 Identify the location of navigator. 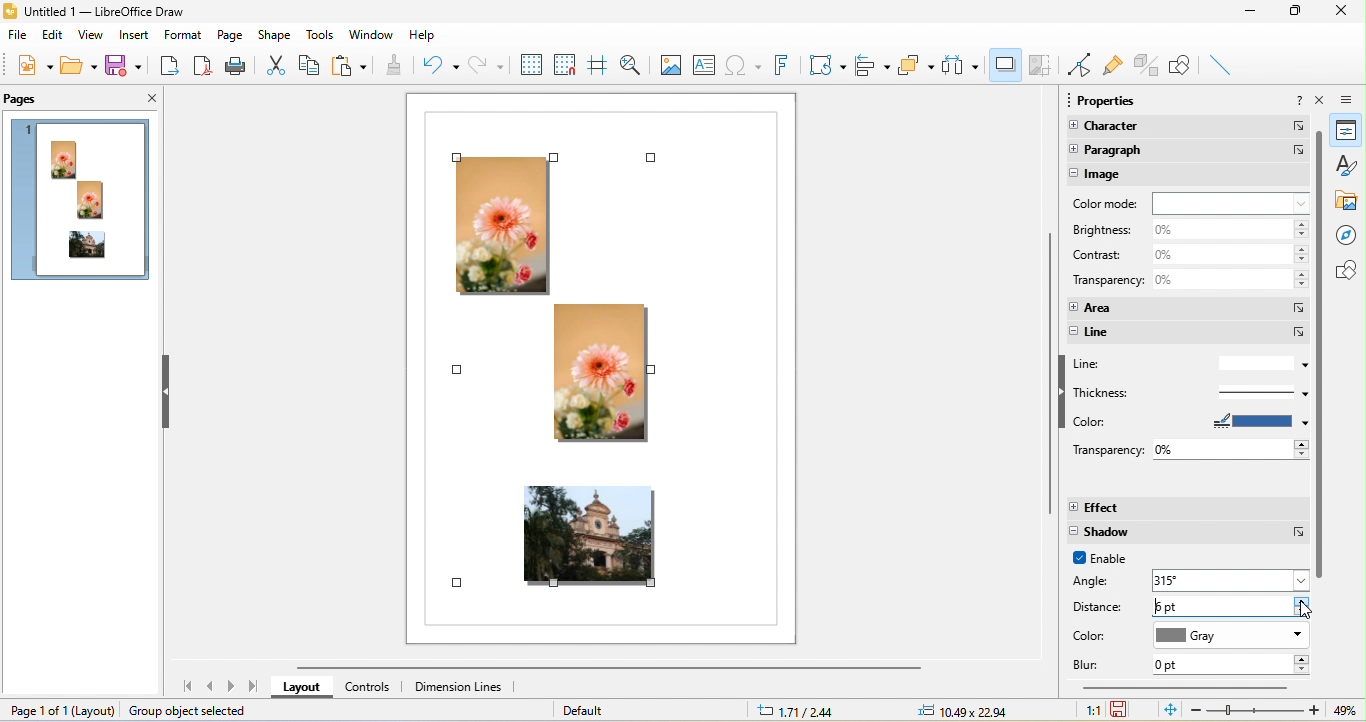
(1349, 235).